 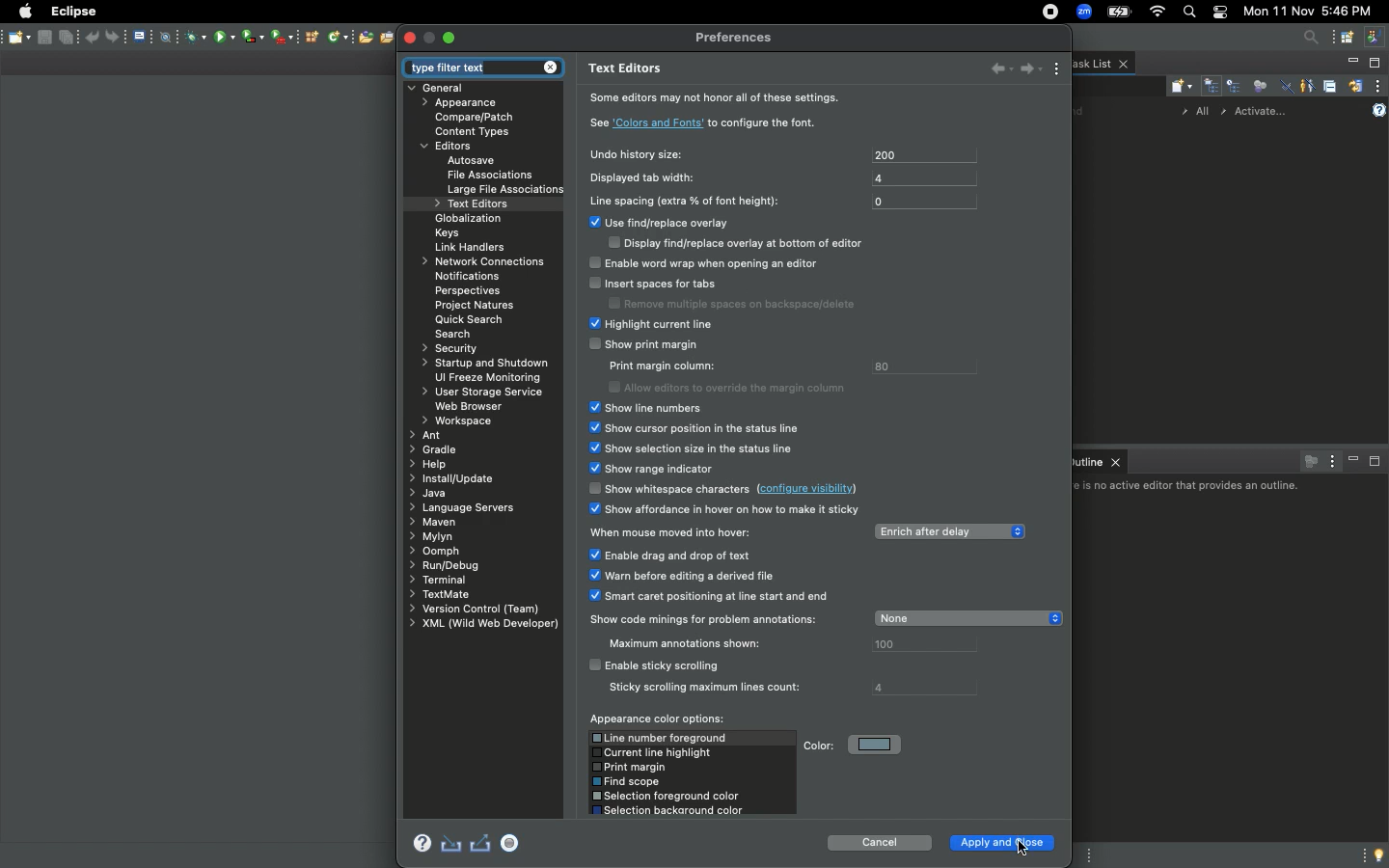 I want to click on Network connections, so click(x=478, y=261).